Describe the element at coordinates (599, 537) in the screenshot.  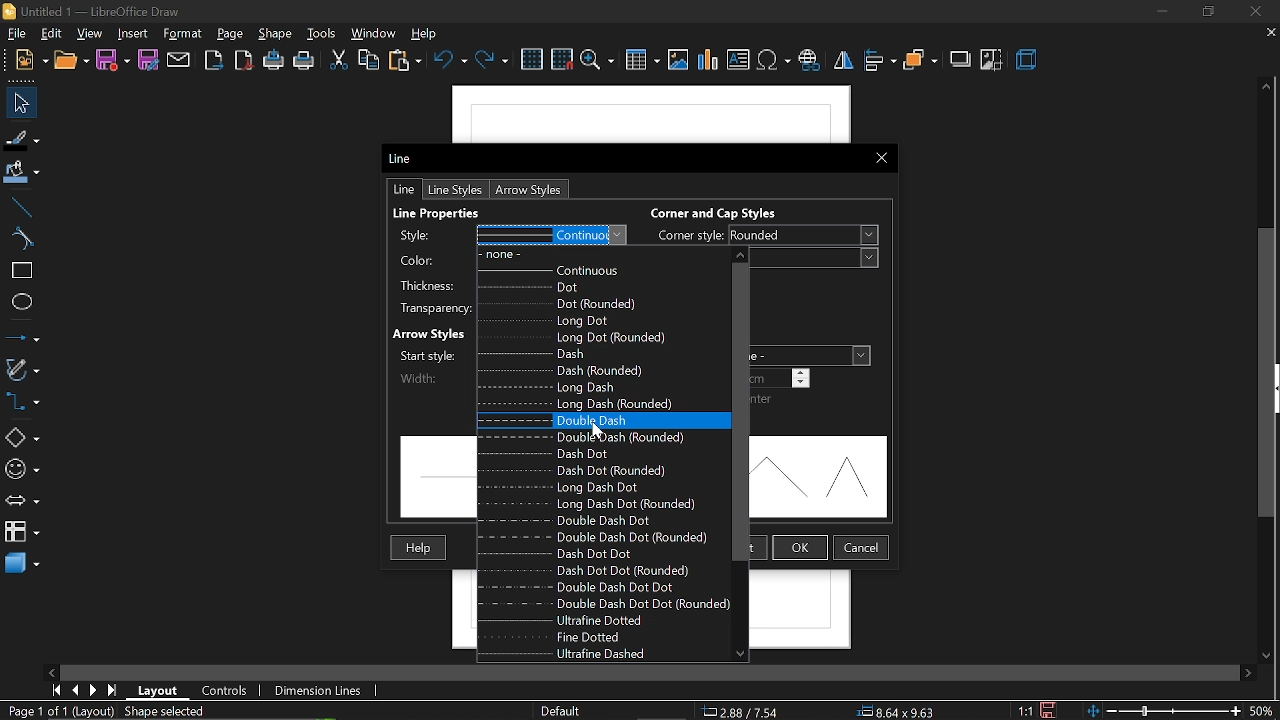
I see `Double dash dot (Rounded)` at that location.